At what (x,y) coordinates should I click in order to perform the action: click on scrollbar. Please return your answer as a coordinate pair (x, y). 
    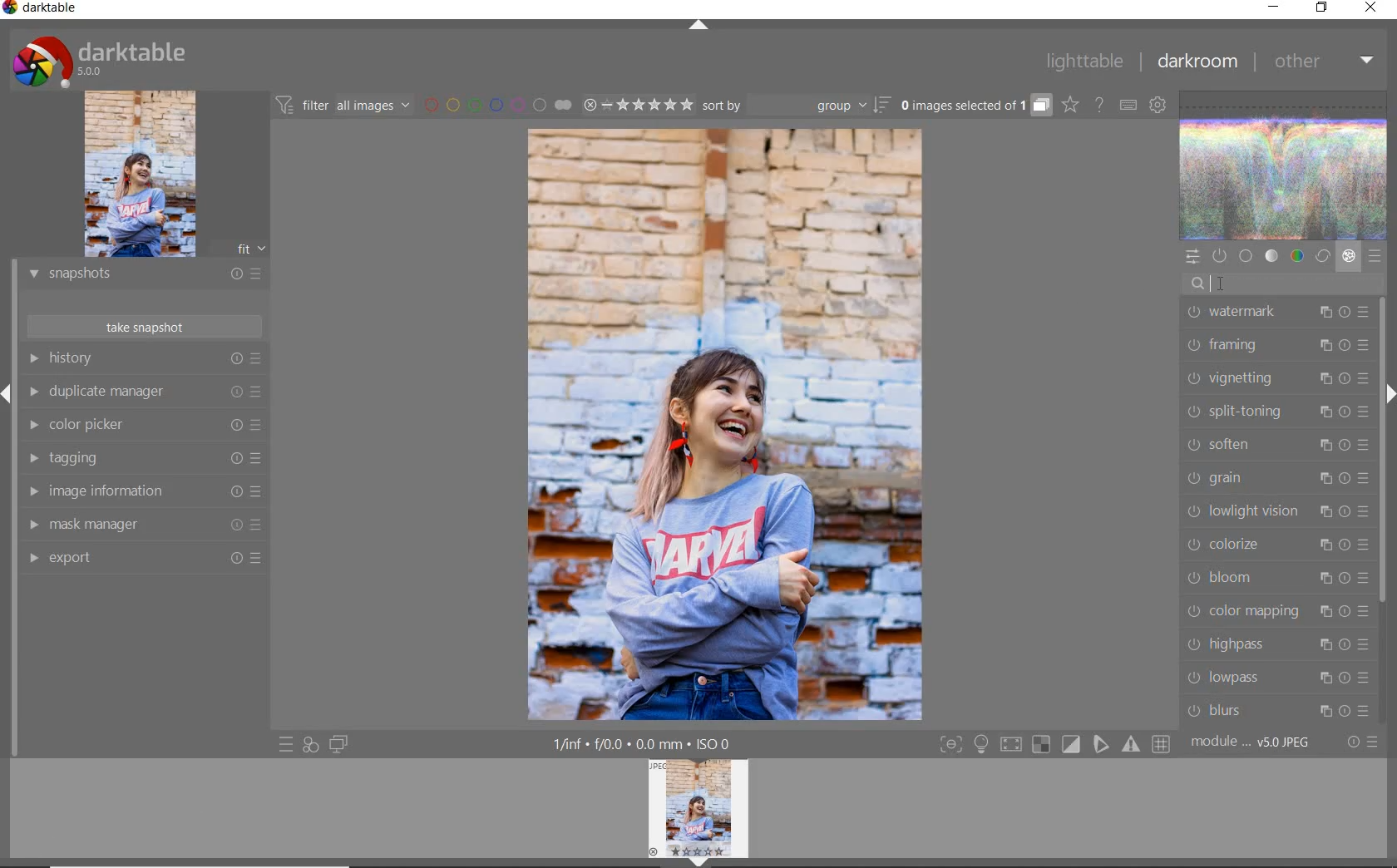
    Looking at the image, I should click on (1383, 447).